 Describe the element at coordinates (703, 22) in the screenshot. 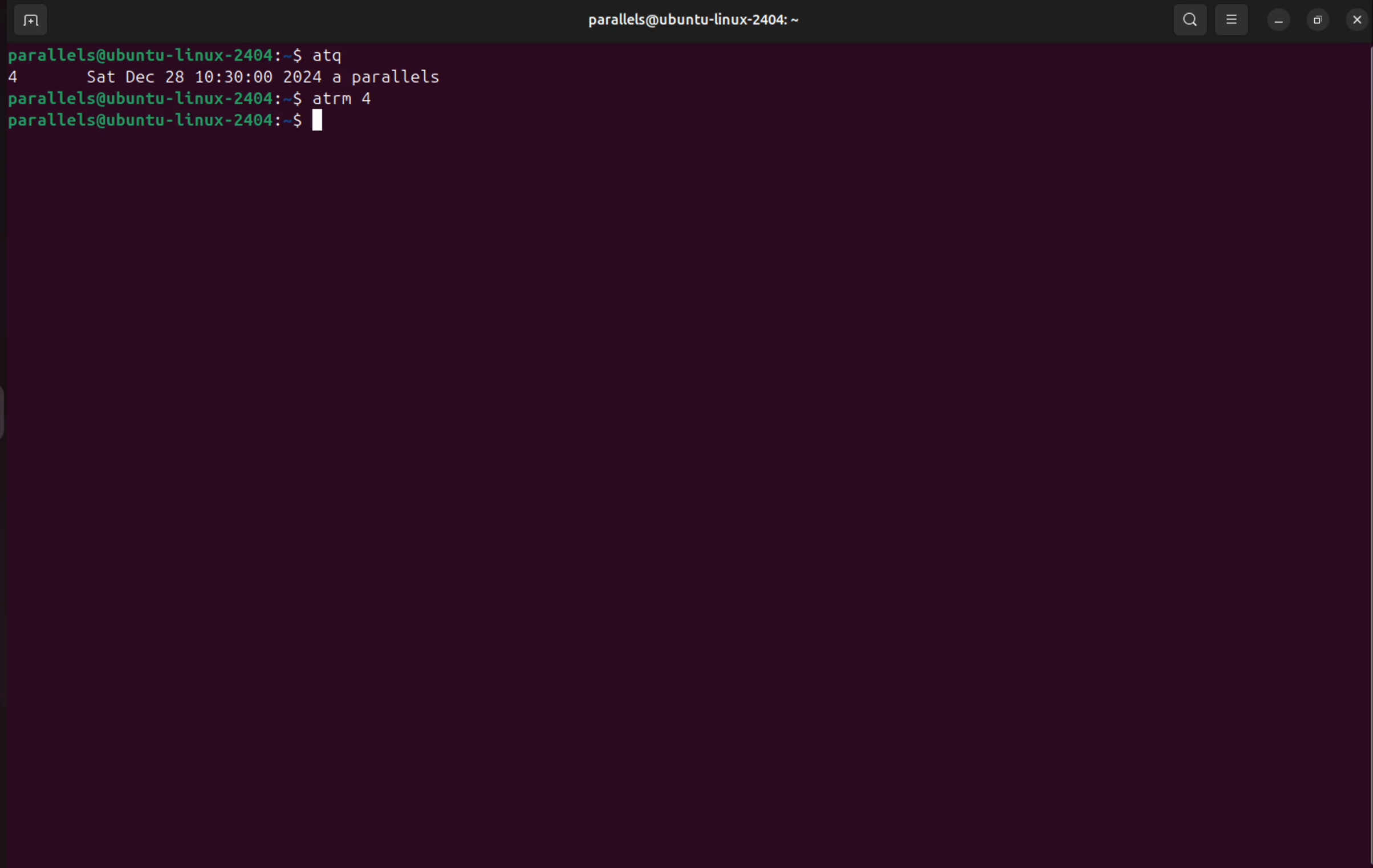

I see `parallels@ uer name` at that location.